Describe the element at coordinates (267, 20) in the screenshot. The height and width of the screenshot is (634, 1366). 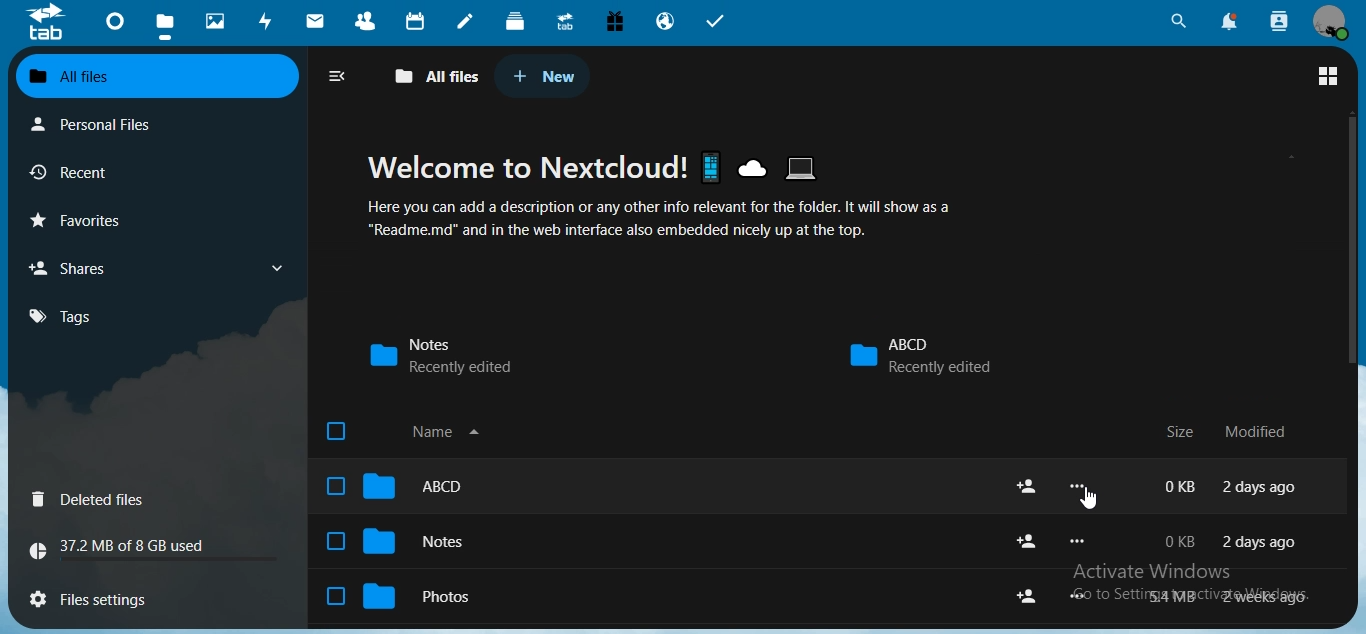
I see `activity` at that location.